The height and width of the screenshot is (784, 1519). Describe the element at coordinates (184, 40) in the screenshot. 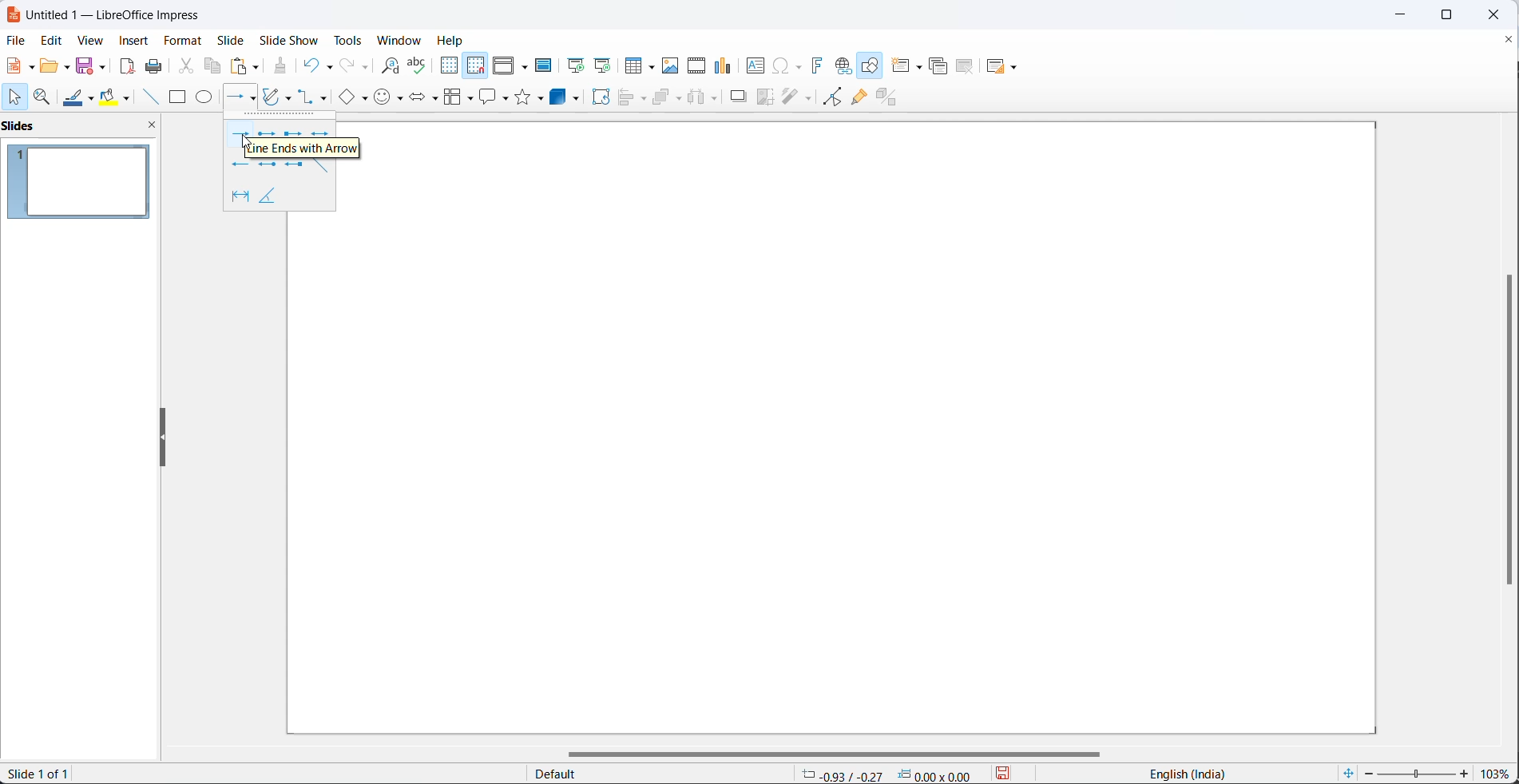

I see `format` at that location.